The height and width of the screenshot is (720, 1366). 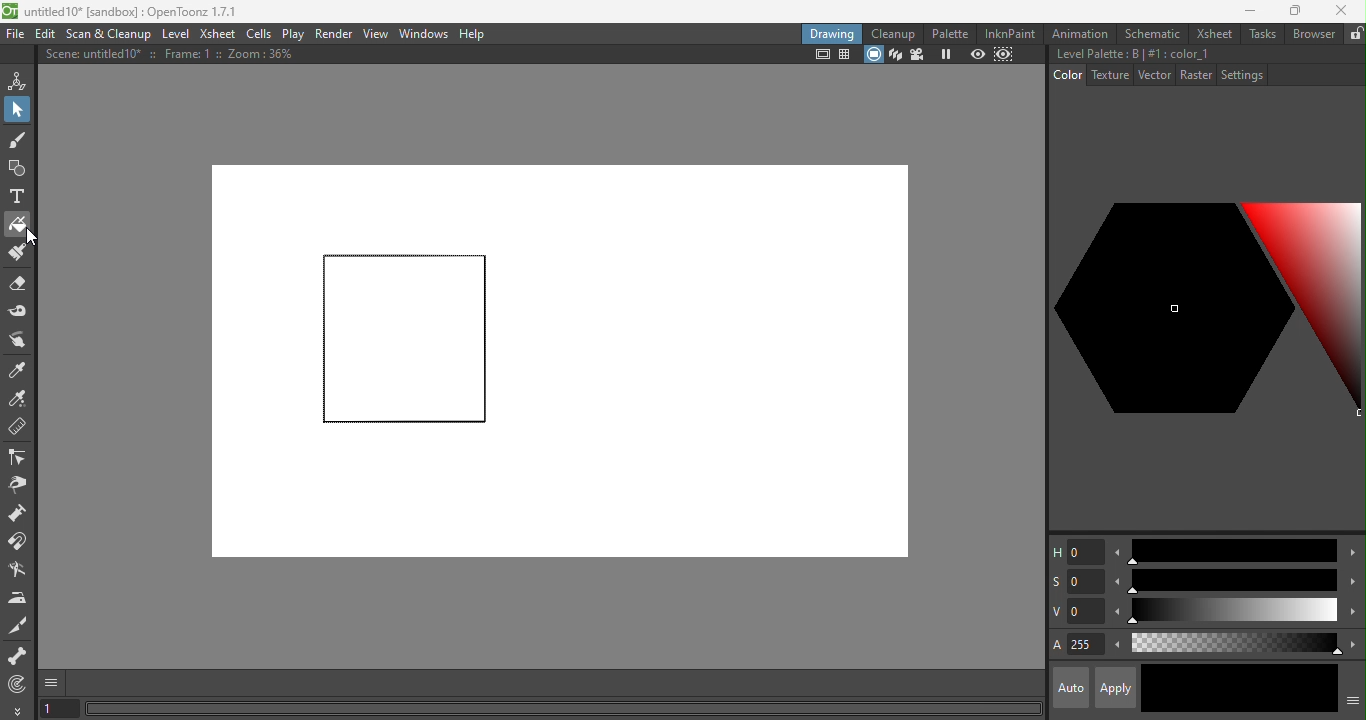 I want to click on Maximize, so click(x=1292, y=12).